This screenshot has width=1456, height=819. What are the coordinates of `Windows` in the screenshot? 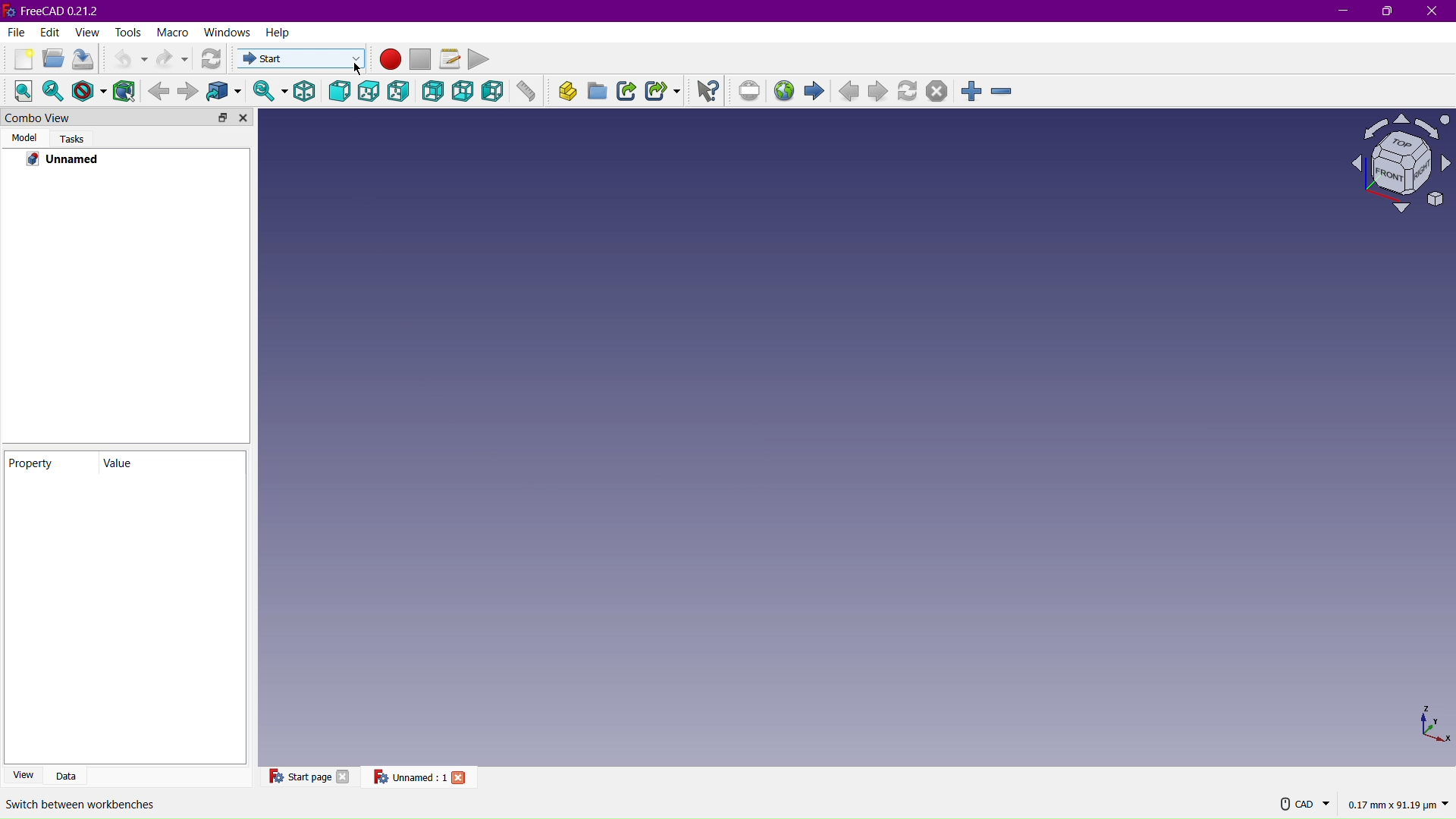 It's located at (227, 33).